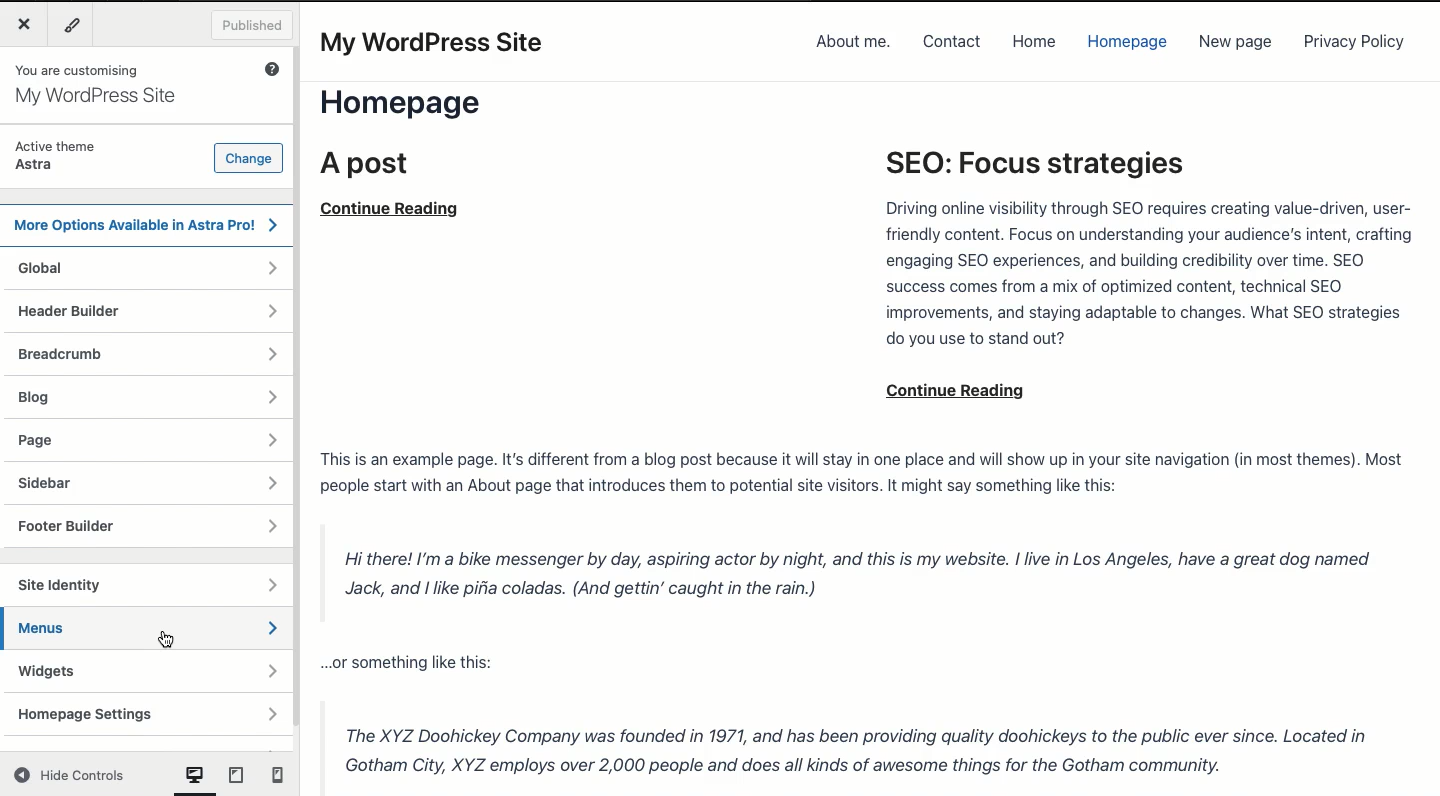 The width and height of the screenshot is (1440, 796). I want to click on Breadcrumb, so click(146, 353).